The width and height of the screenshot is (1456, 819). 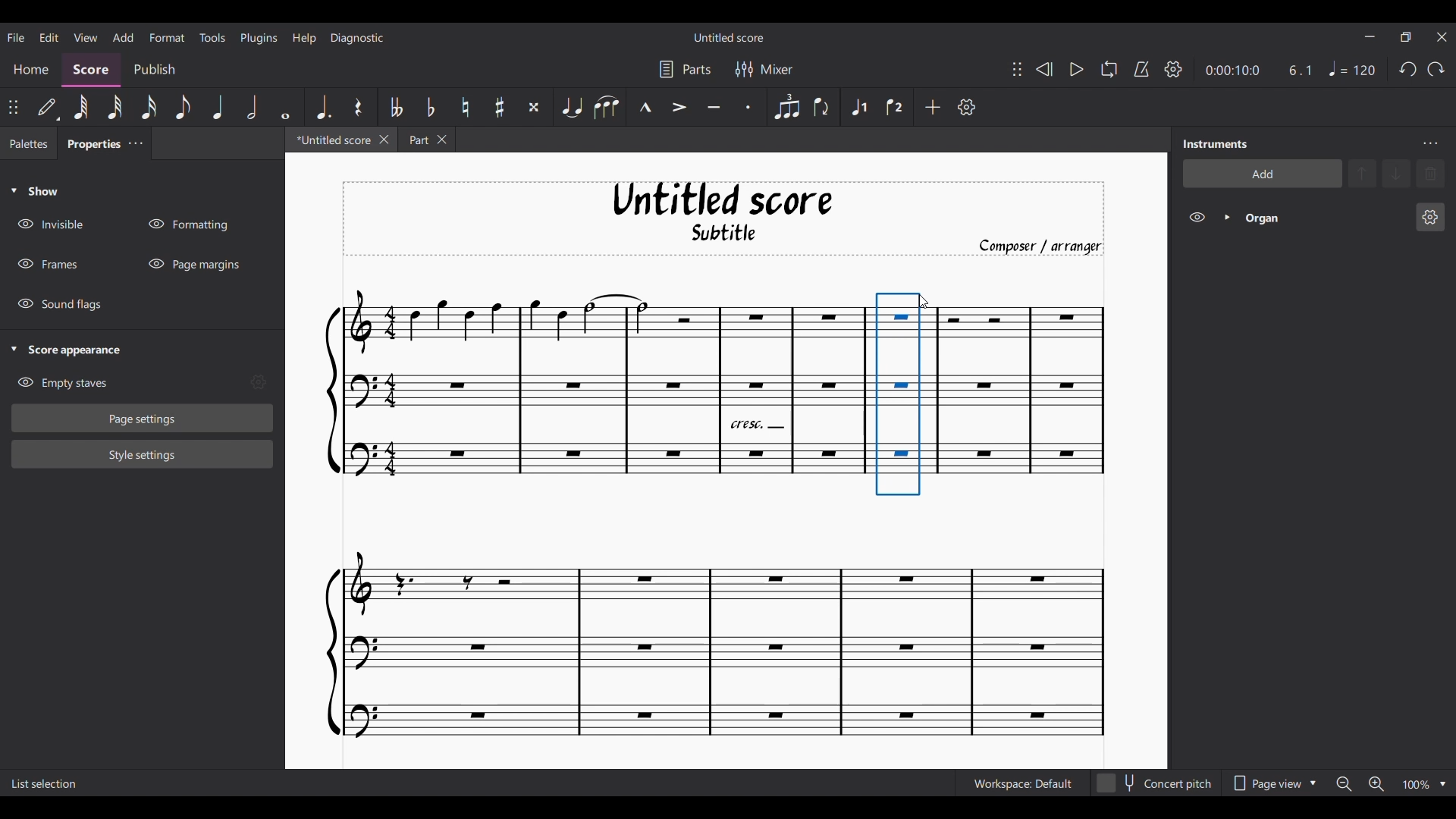 I want to click on Zoom options, so click(x=1442, y=785).